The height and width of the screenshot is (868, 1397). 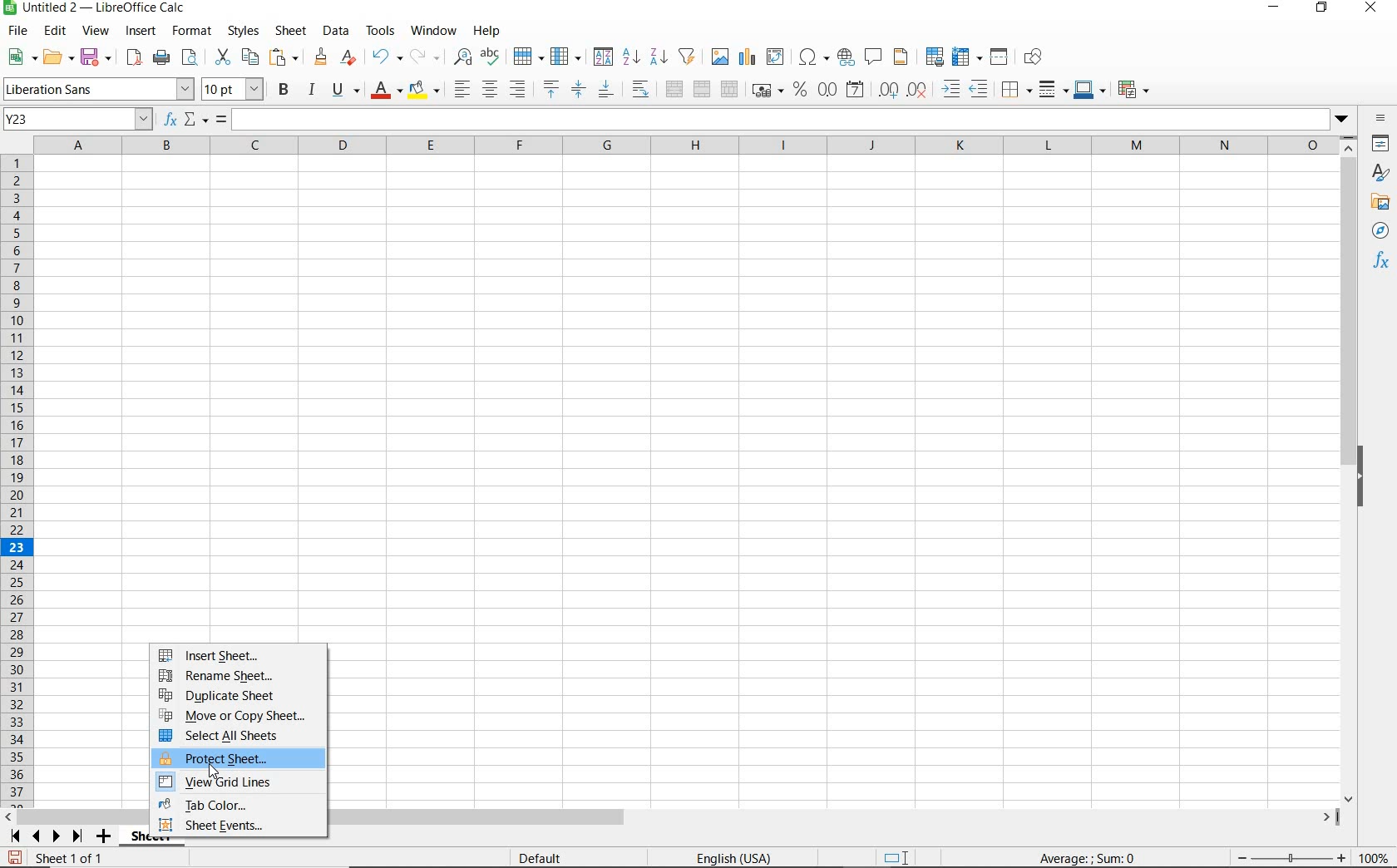 I want to click on TOOLS, so click(x=379, y=31).